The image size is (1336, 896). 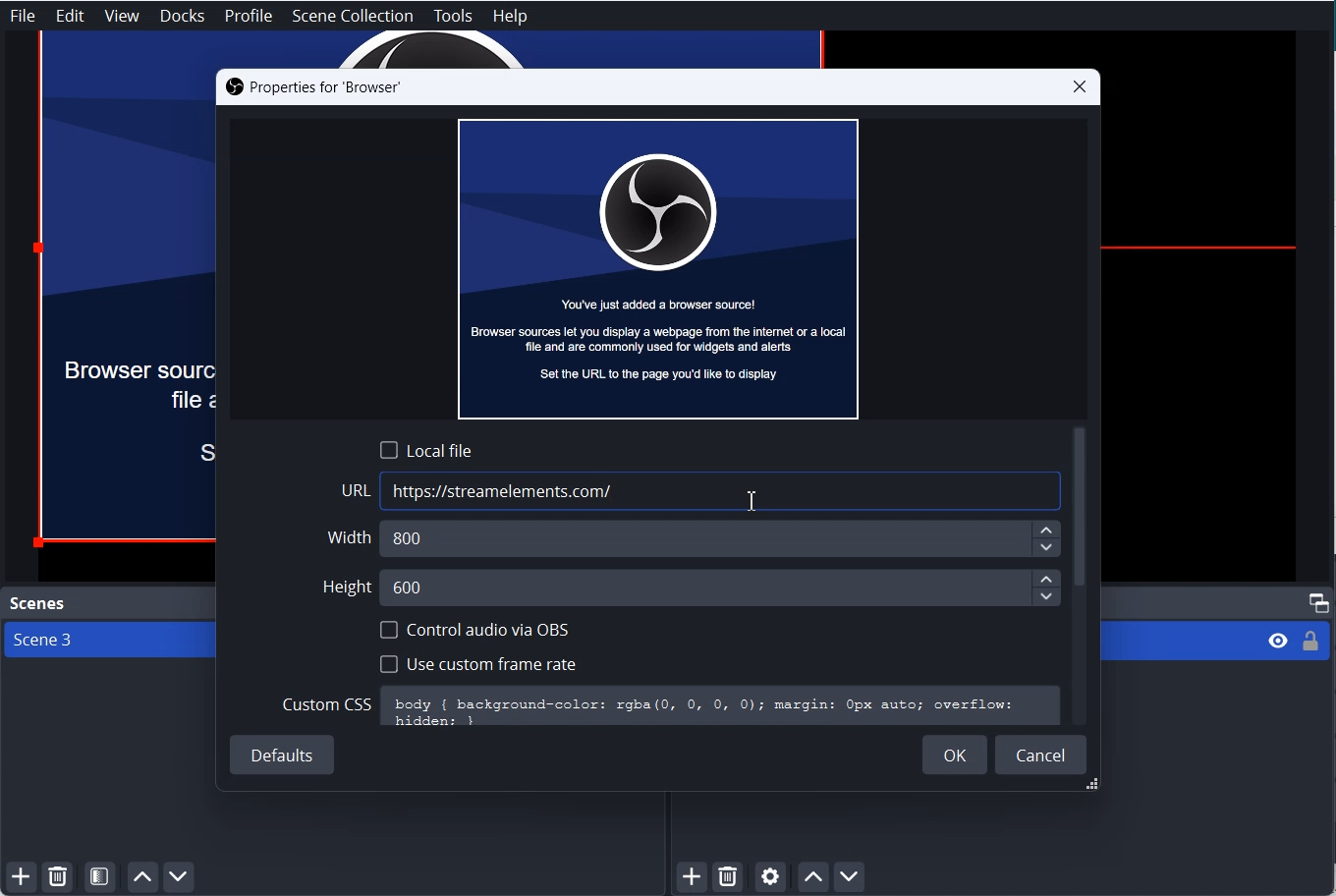 I want to click on Move scene up, so click(x=141, y=877).